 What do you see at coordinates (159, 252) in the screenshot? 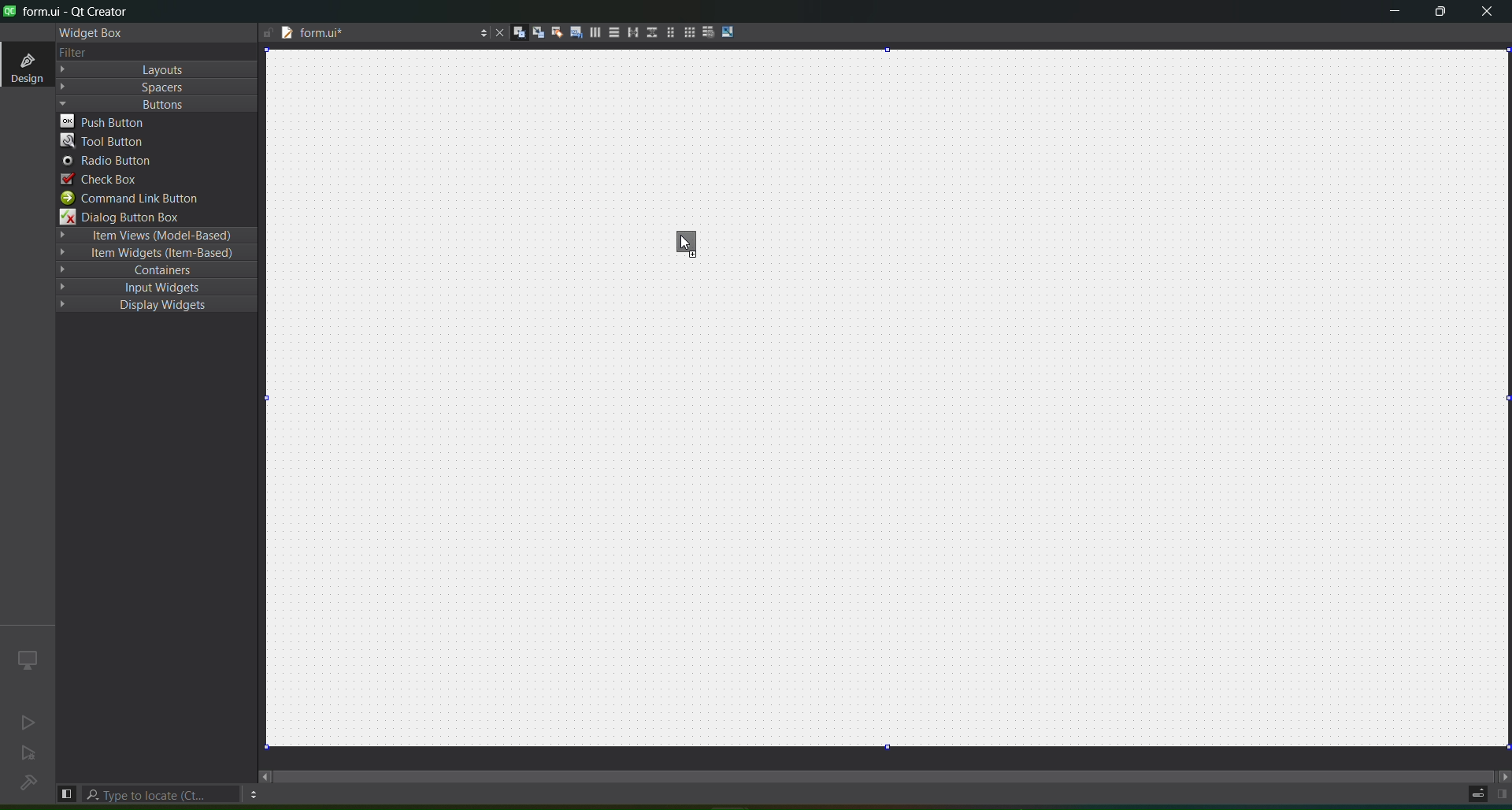
I see `Item Widgets` at bounding box center [159, 252].